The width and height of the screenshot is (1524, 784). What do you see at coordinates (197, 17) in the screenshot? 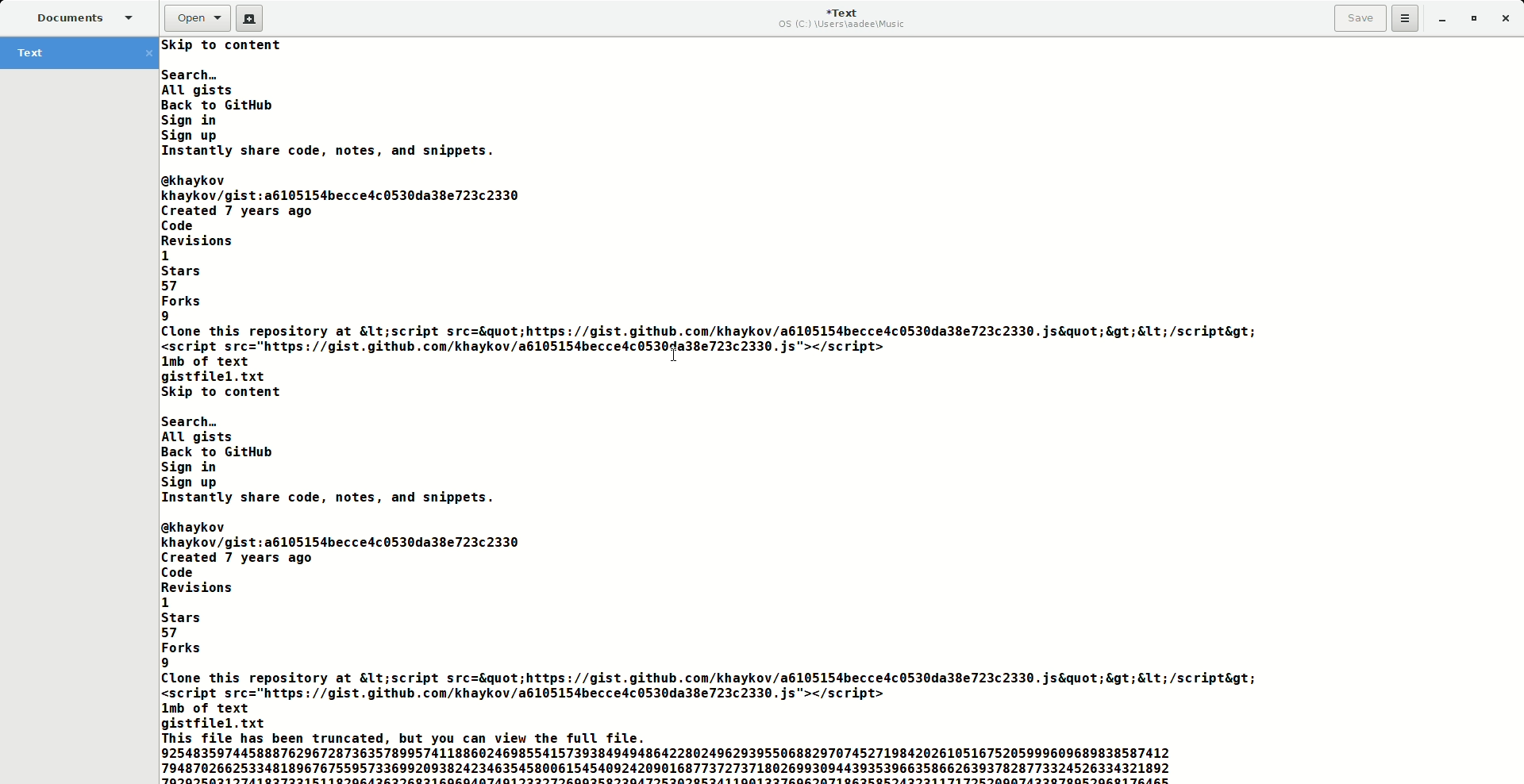
I see `Open` at bounding box center [197, 17].